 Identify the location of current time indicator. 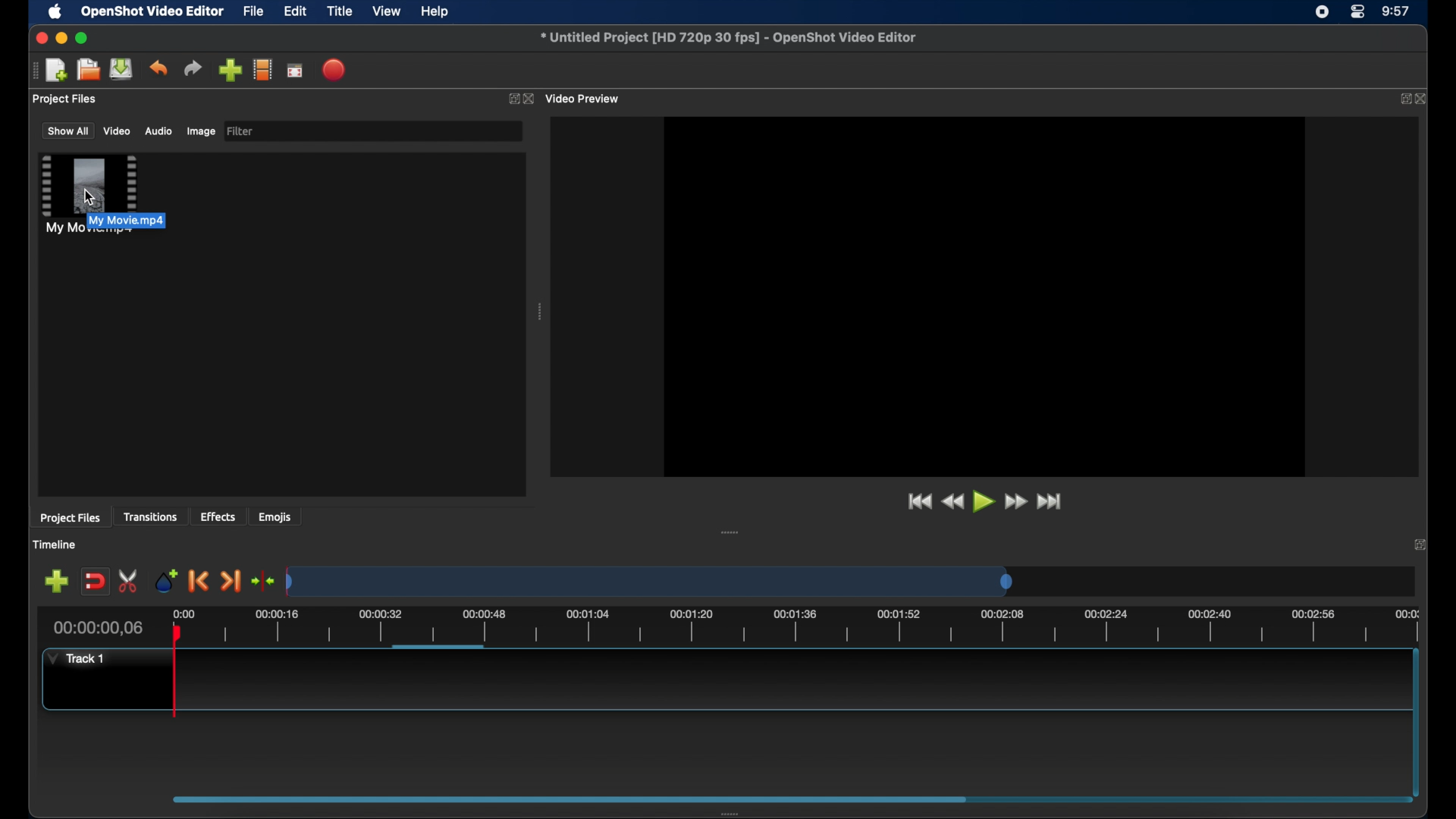
(99, 628).